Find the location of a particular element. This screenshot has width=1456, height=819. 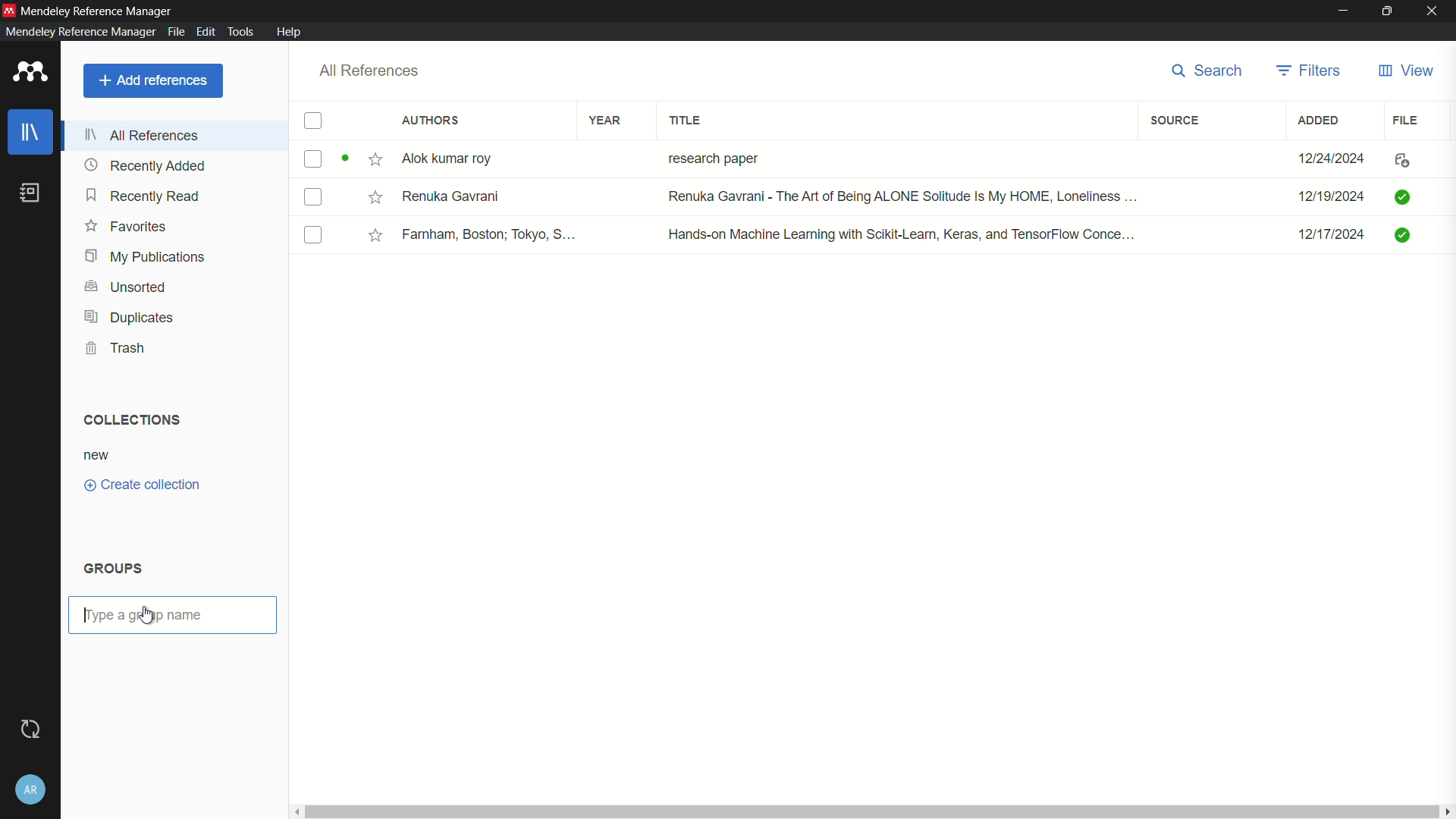

new is located at coordinates (97, 455).